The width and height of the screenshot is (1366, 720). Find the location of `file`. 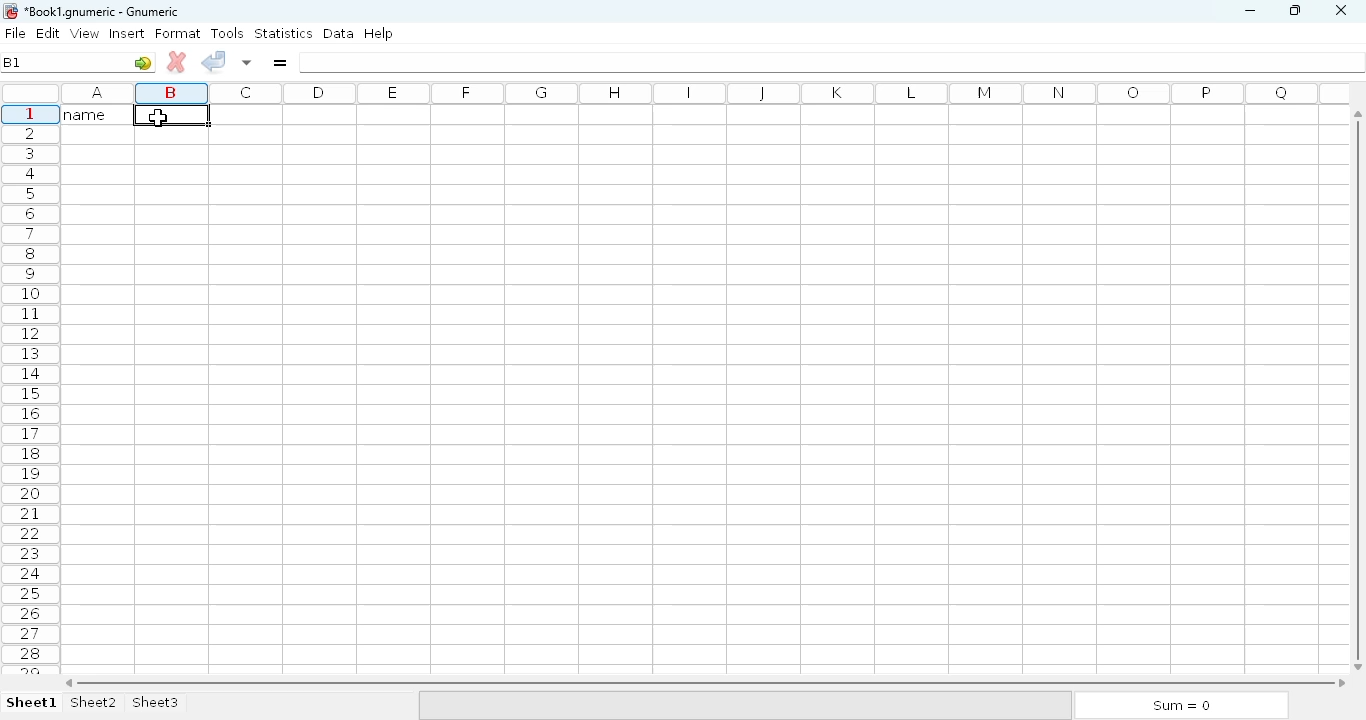

file is located at coordinates (15, 33).